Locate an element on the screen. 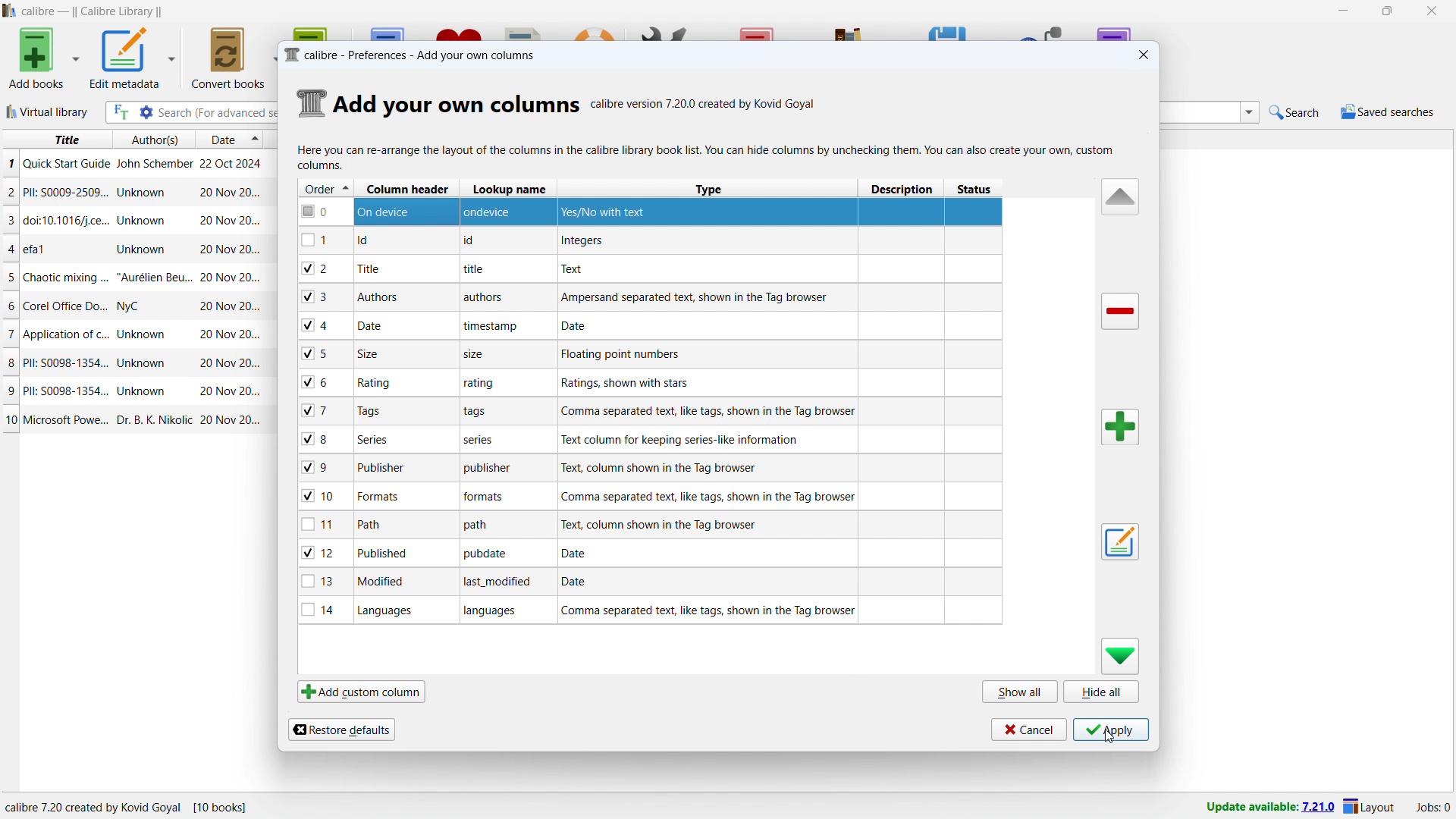 This screenshot has width=1456, height=819. cancel is located at coordinates (1027, 729).